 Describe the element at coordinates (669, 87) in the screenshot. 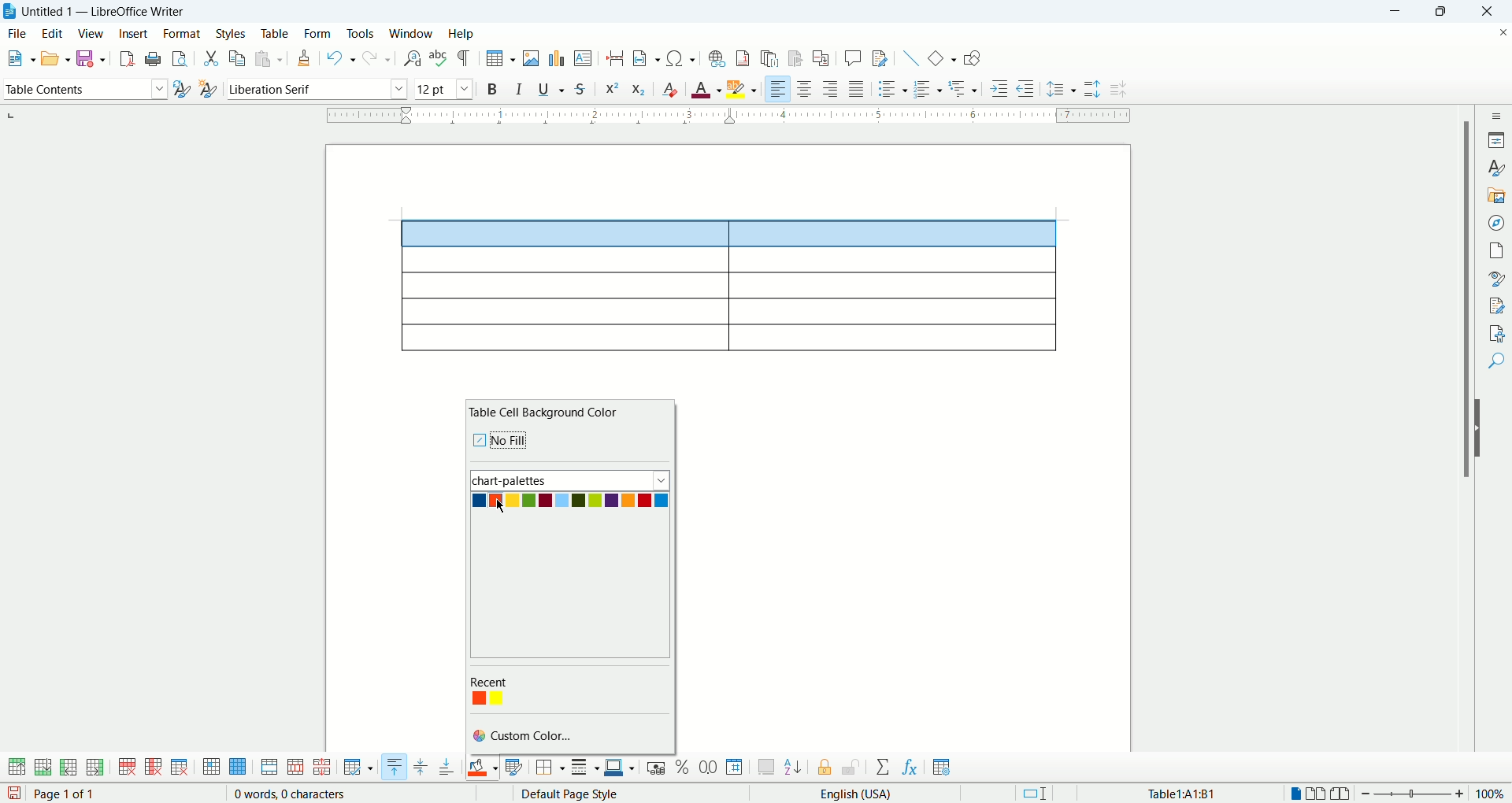

I see `clear direct formatting` at that location.